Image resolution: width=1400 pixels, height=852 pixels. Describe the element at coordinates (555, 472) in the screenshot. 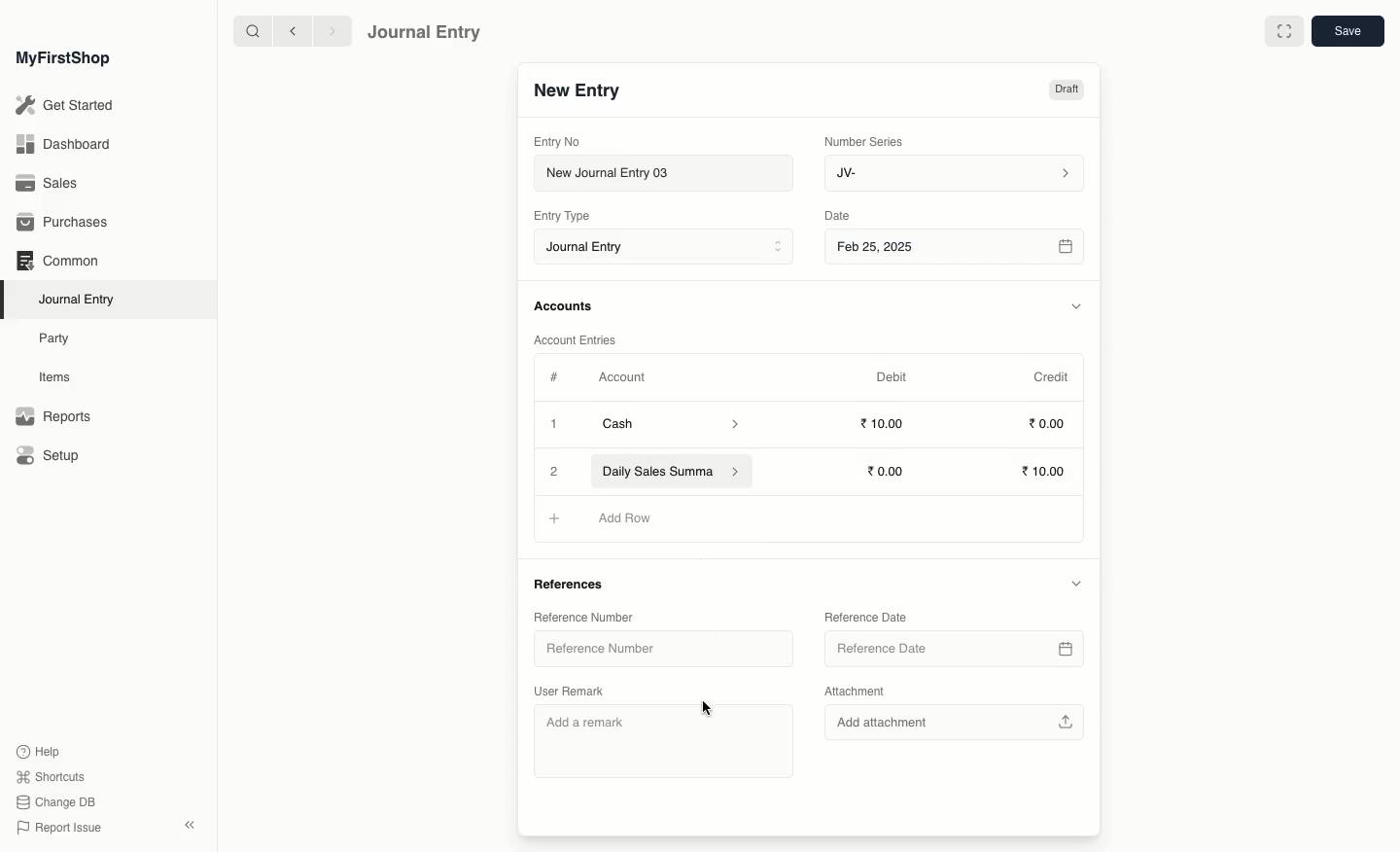

I see `Close` at that location.